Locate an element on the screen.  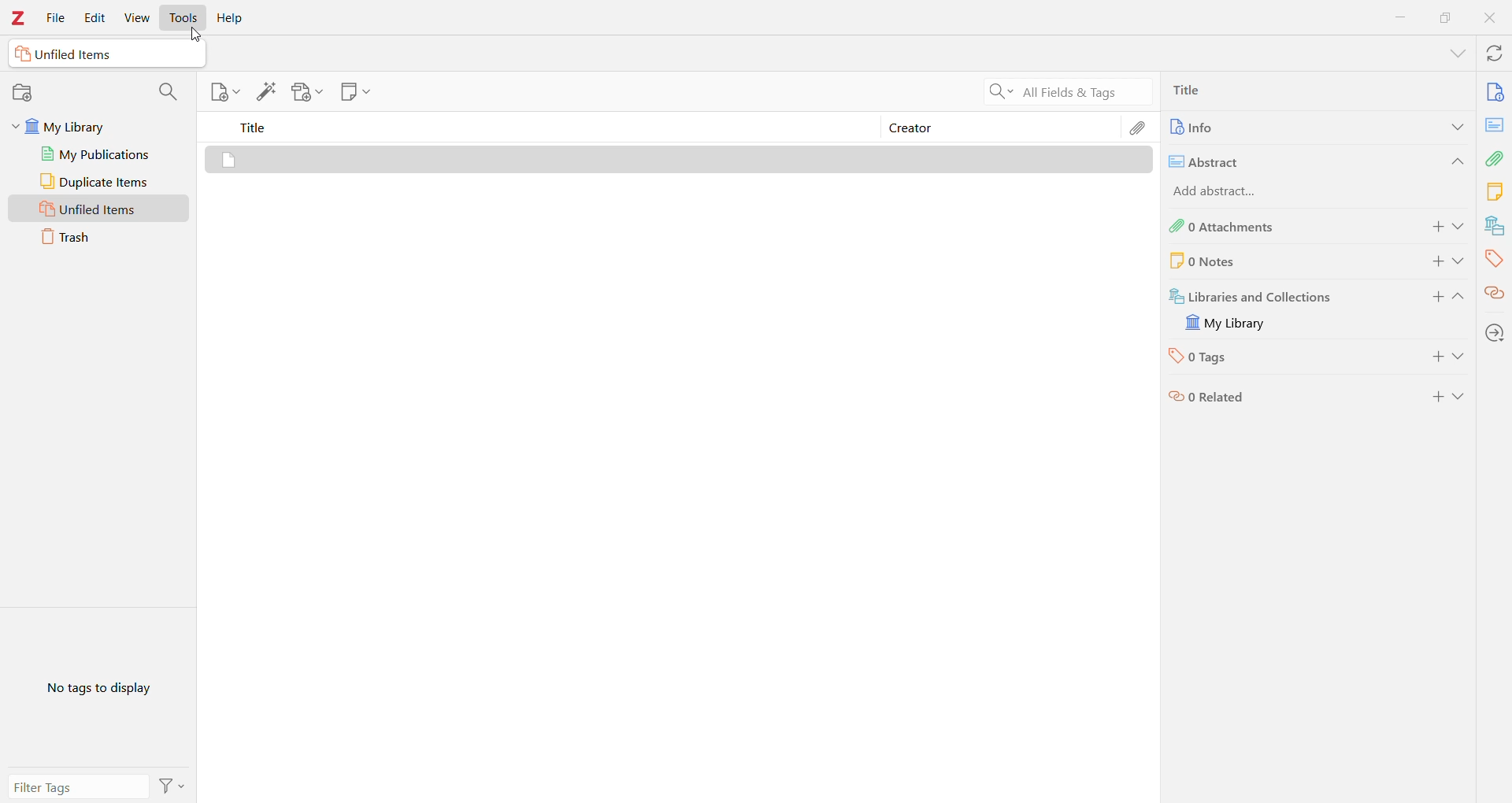
Add is located at coordinates (1432, 398).